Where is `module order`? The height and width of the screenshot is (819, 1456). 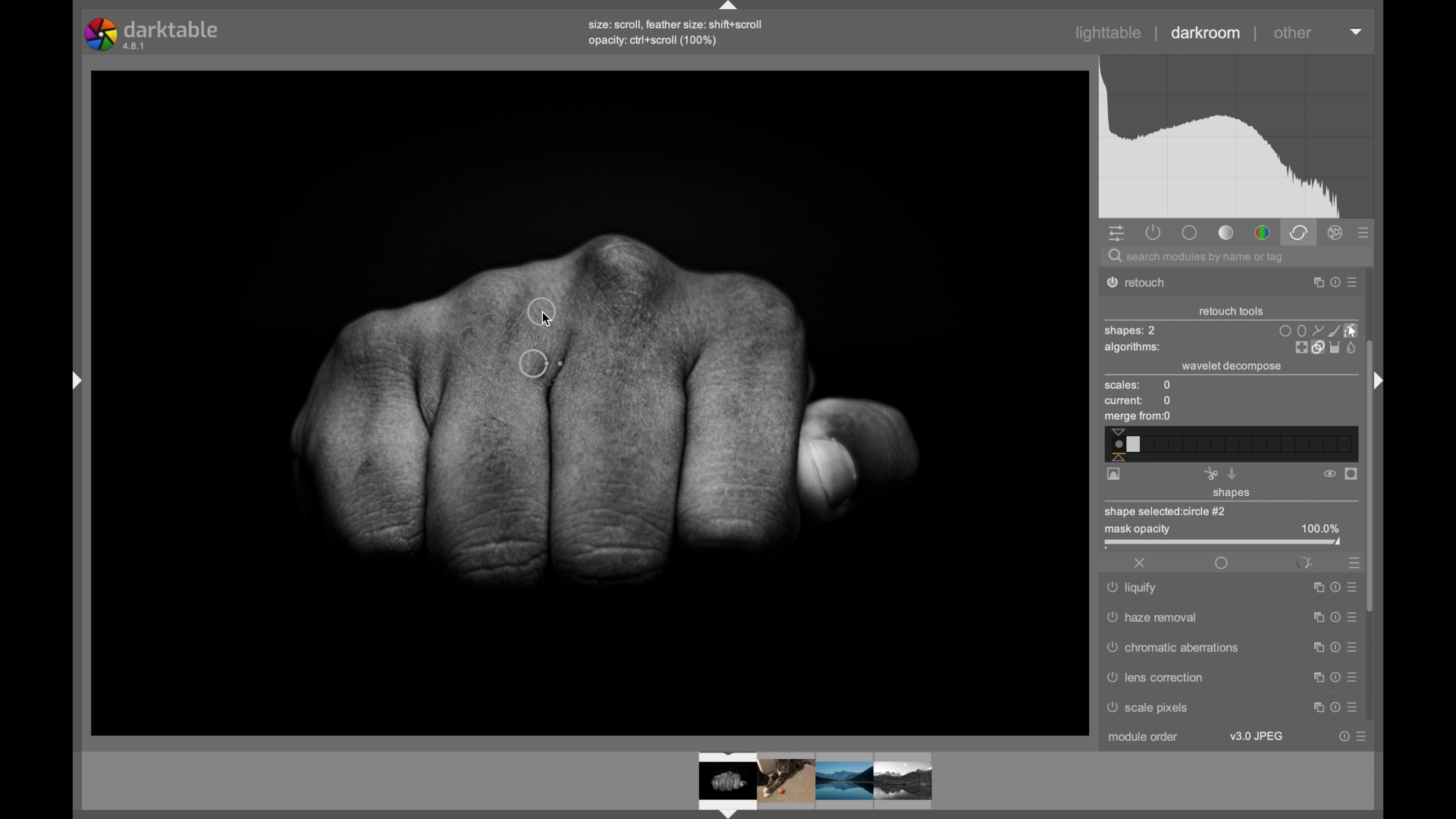
module order is located at coordinates (1144, 739).